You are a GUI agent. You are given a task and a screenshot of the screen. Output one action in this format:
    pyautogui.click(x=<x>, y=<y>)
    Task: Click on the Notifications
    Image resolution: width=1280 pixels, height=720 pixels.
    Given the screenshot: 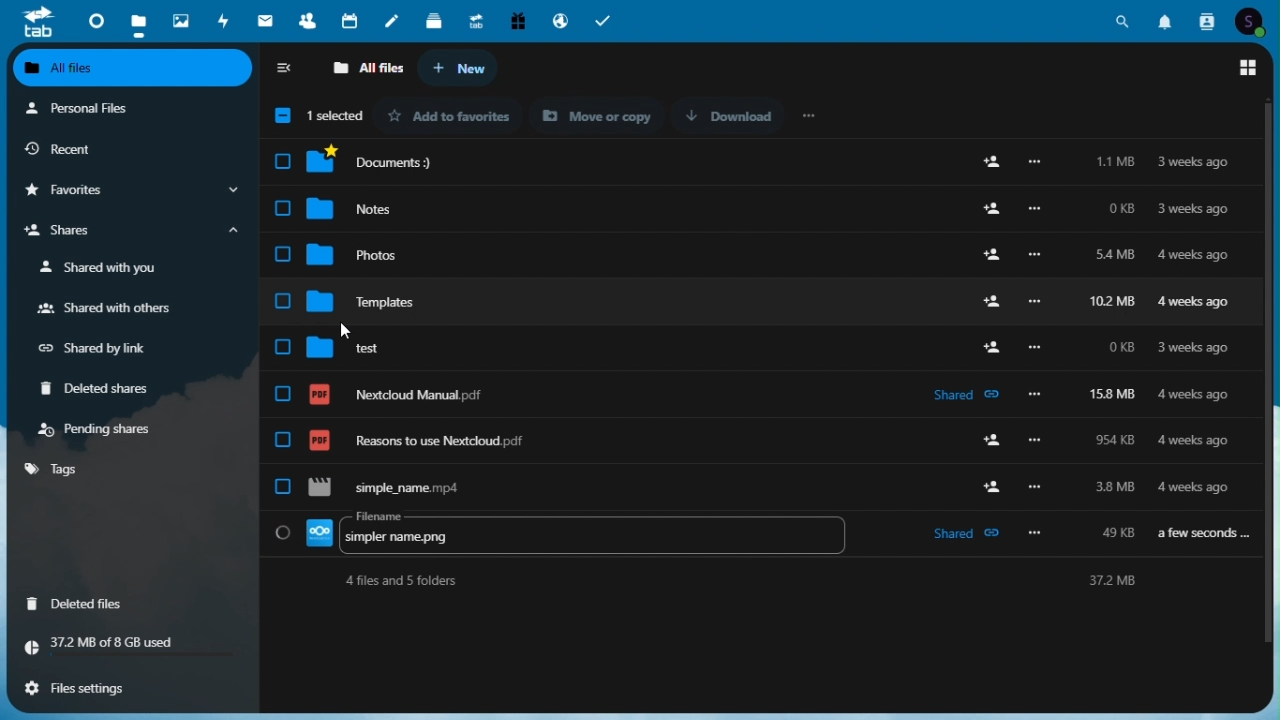 What is the action you would take?
    pyautogui.click(x=1165, y=18)
    